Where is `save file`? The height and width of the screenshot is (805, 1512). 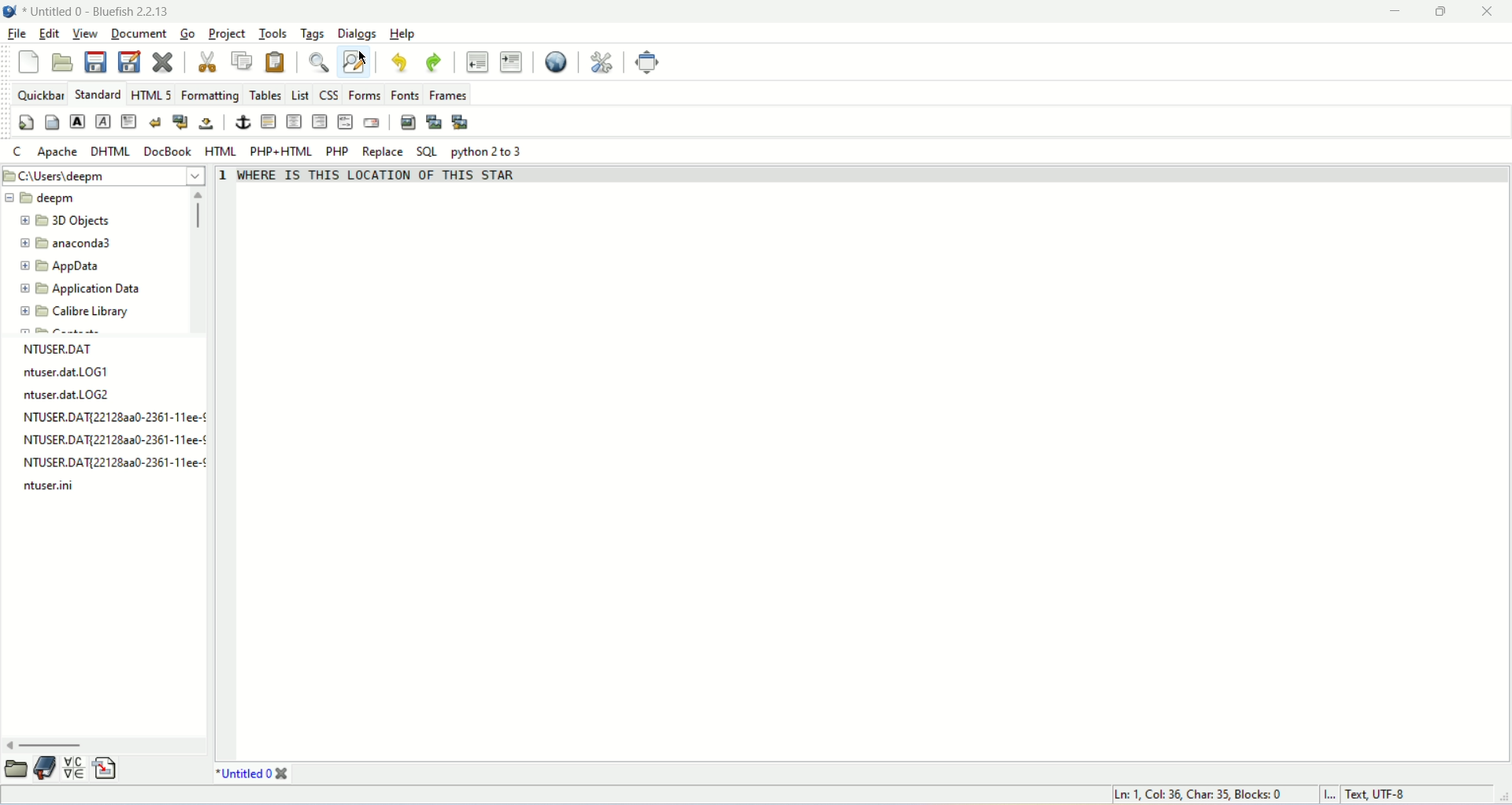
save file is located at coordinates (98, 62).